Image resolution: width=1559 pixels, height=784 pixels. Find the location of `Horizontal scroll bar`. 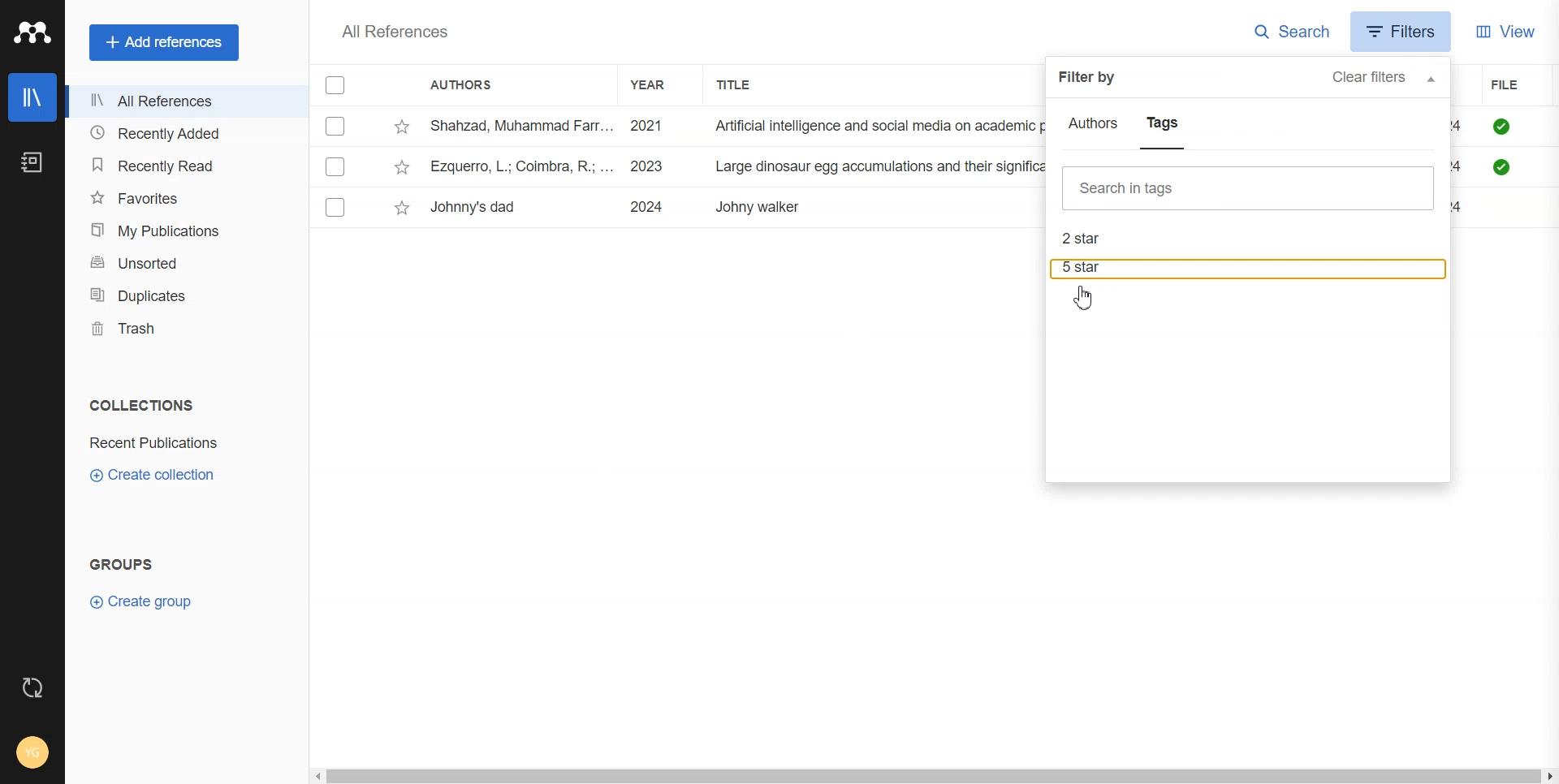

Horizontal scroll bar is located at coordinates (933, 778).